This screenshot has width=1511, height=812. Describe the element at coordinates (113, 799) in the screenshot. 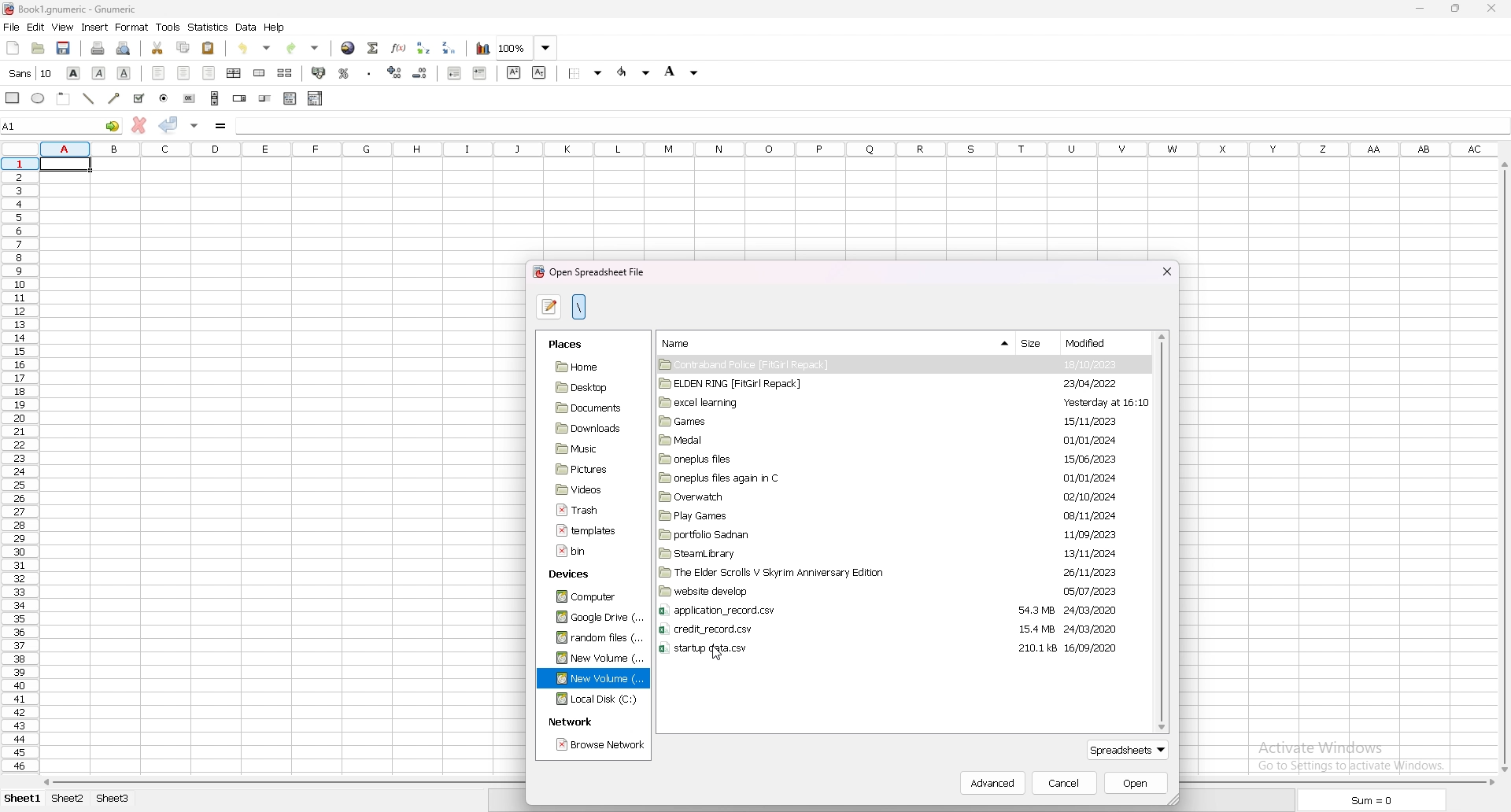

I see `Sheet 3` at that location.